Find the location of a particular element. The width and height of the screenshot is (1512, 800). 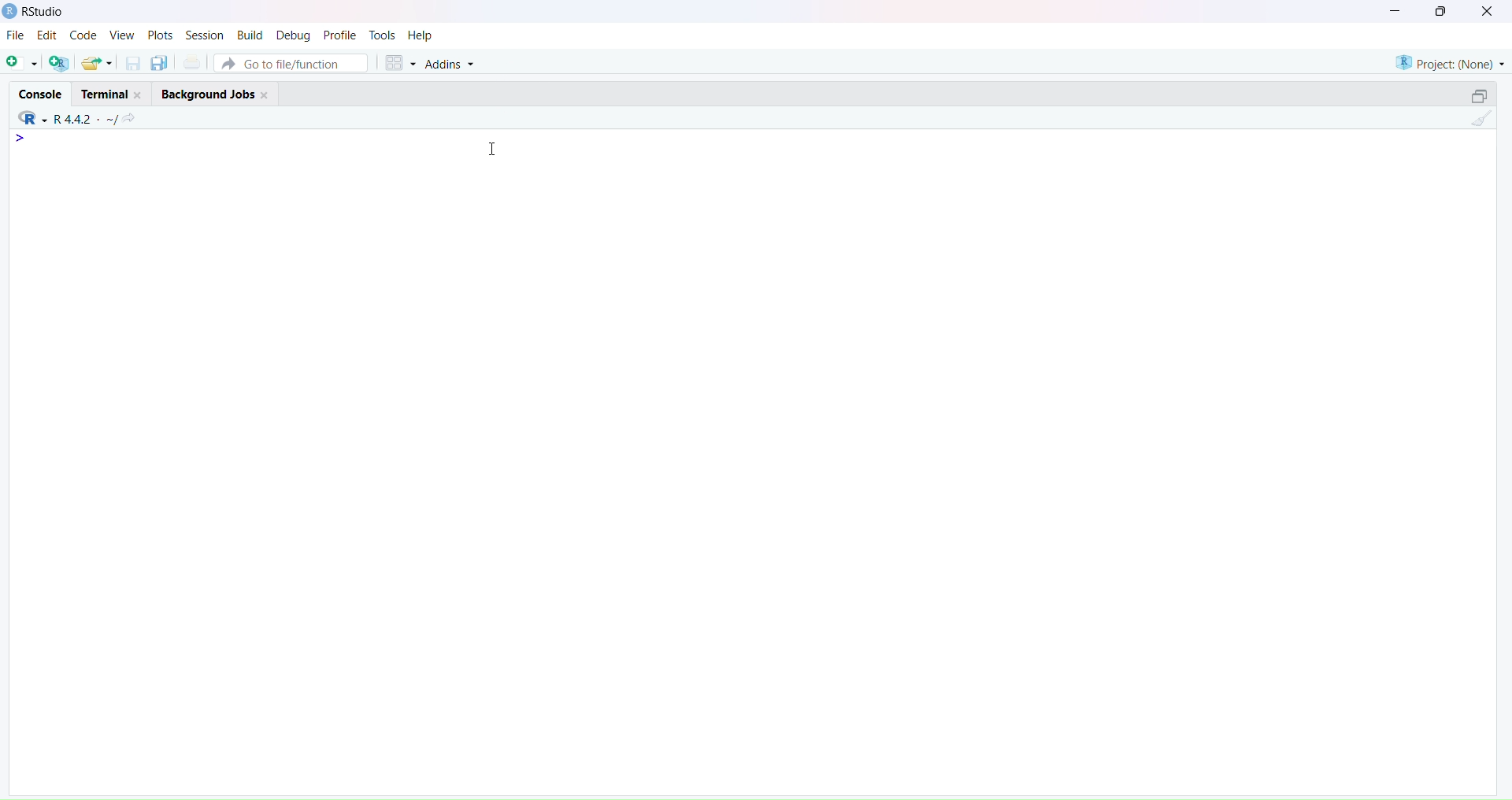

debug is located at coordinates (295, 35).